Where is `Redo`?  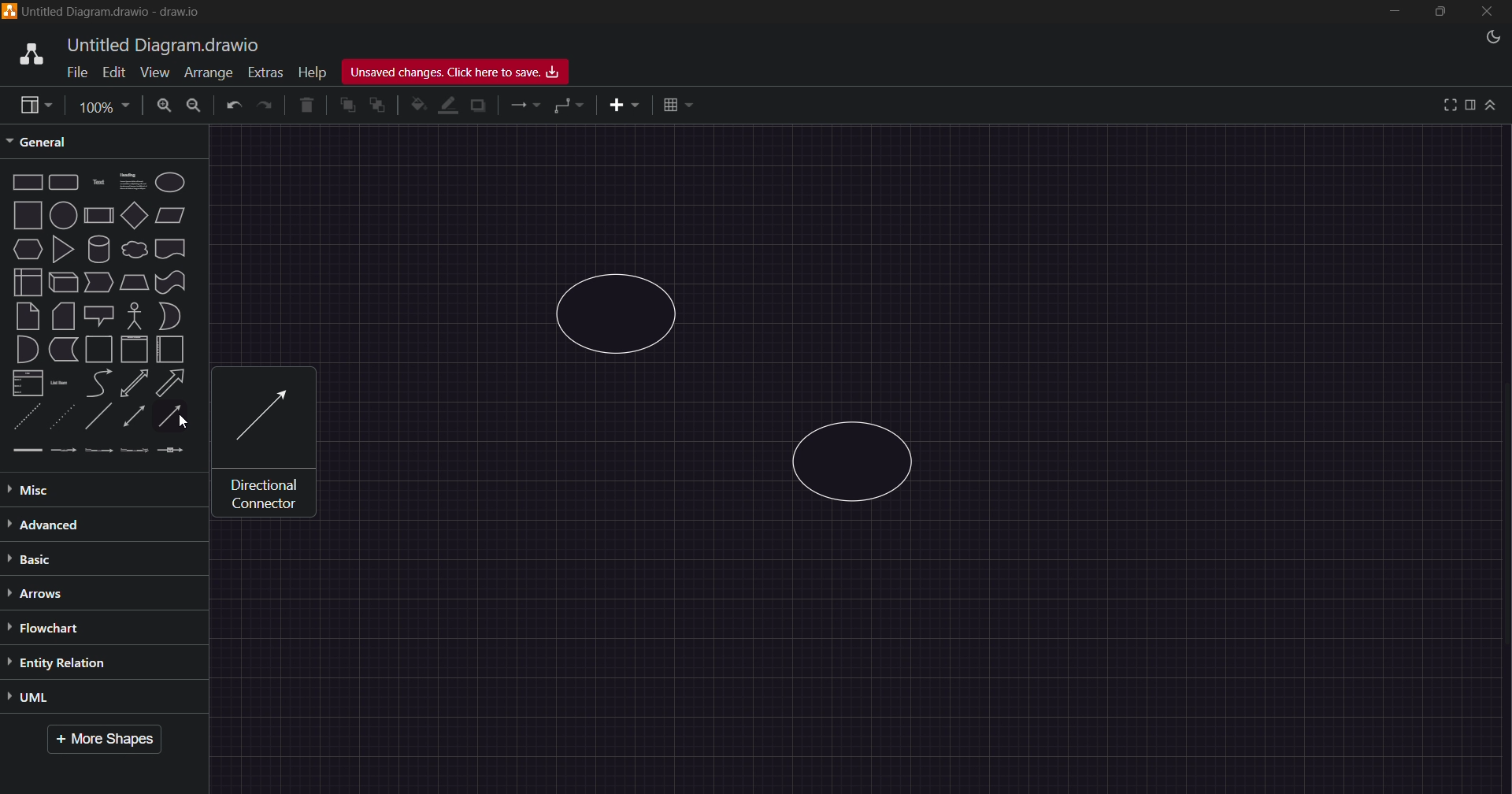
Redo is located at coordinates (267, 106).